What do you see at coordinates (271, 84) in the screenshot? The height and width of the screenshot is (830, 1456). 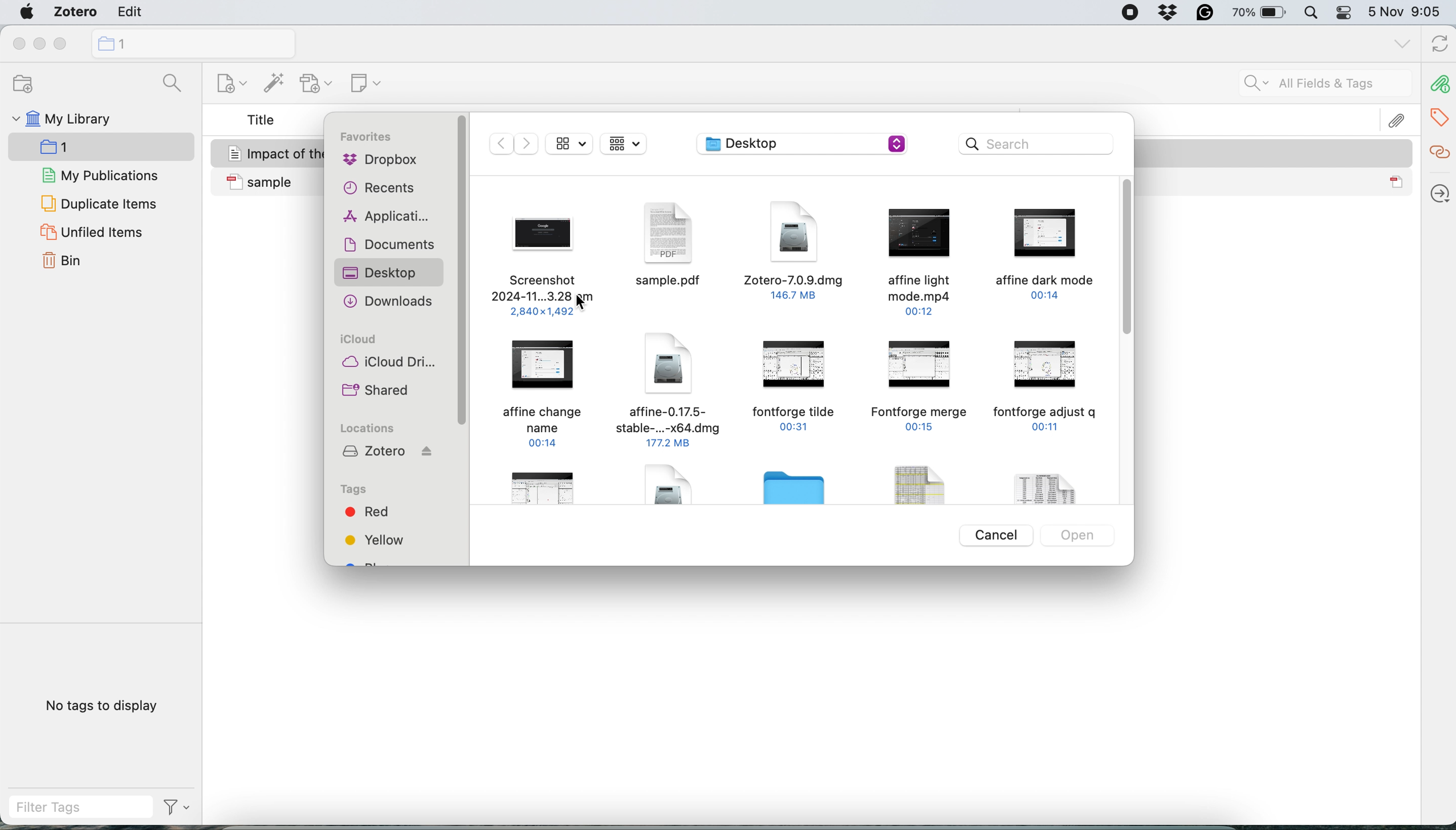 I see `add item by identifier` at bounding box center [271, 84].